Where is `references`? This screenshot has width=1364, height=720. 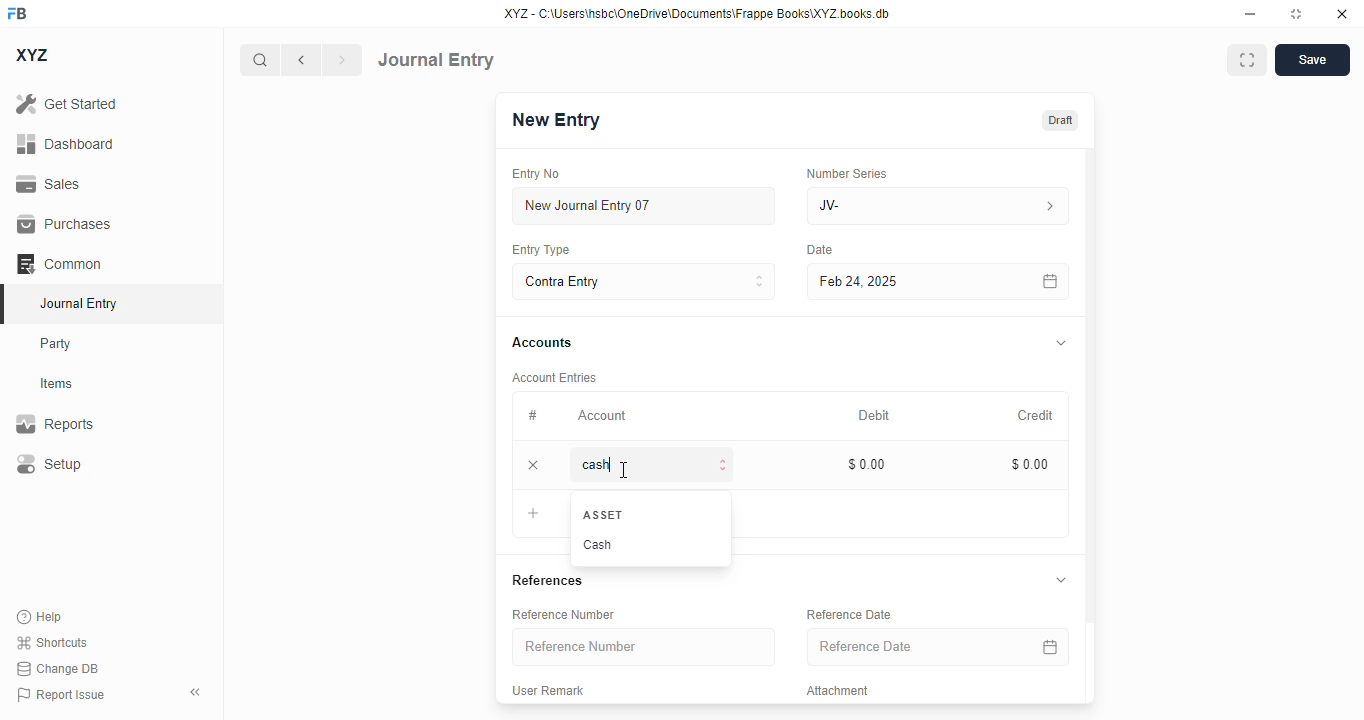
references is located at coordinates (548, 580).